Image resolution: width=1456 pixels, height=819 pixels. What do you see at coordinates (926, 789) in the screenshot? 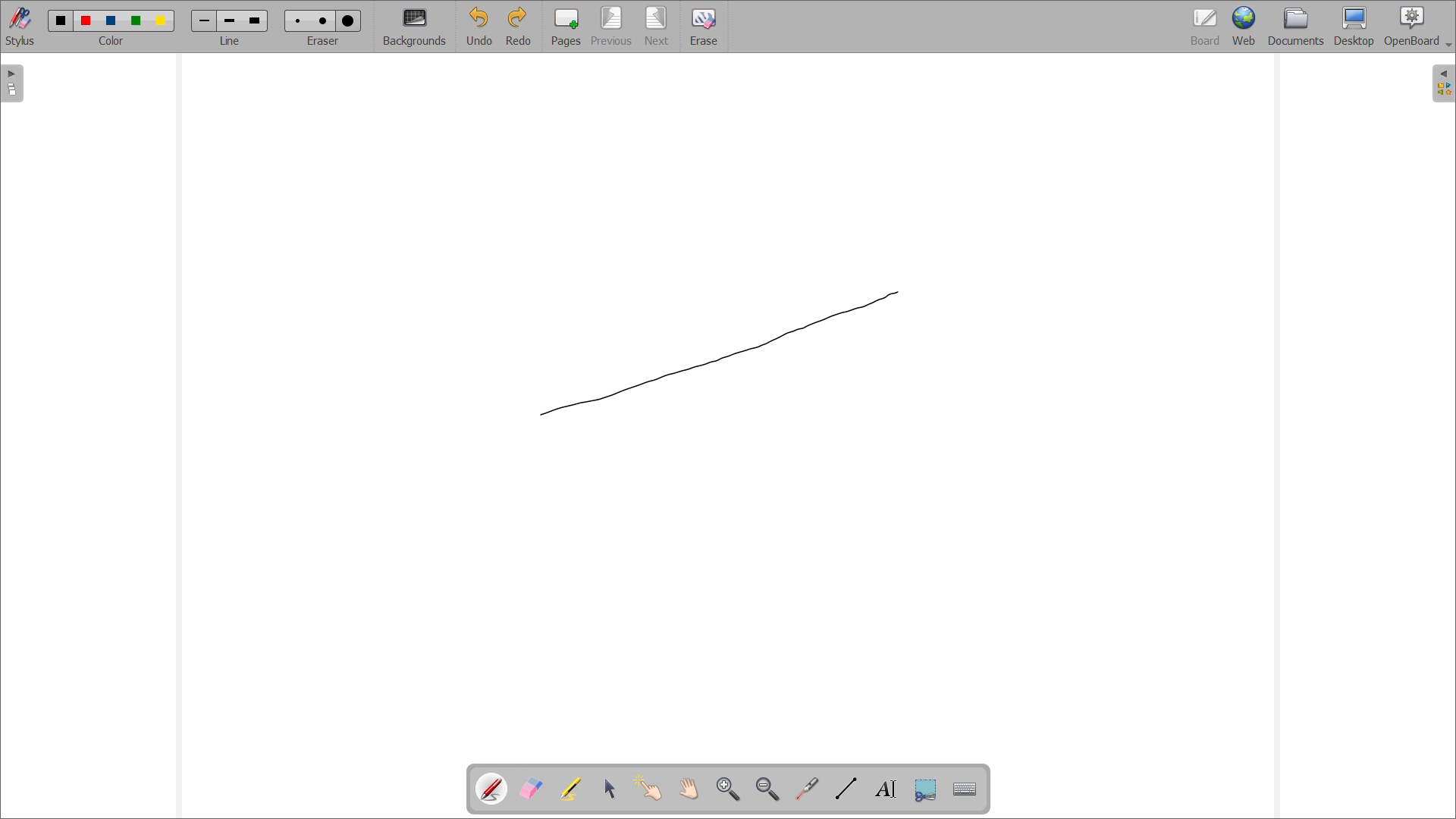
I see `capture part of the screen` at bounding box center [926, 789].